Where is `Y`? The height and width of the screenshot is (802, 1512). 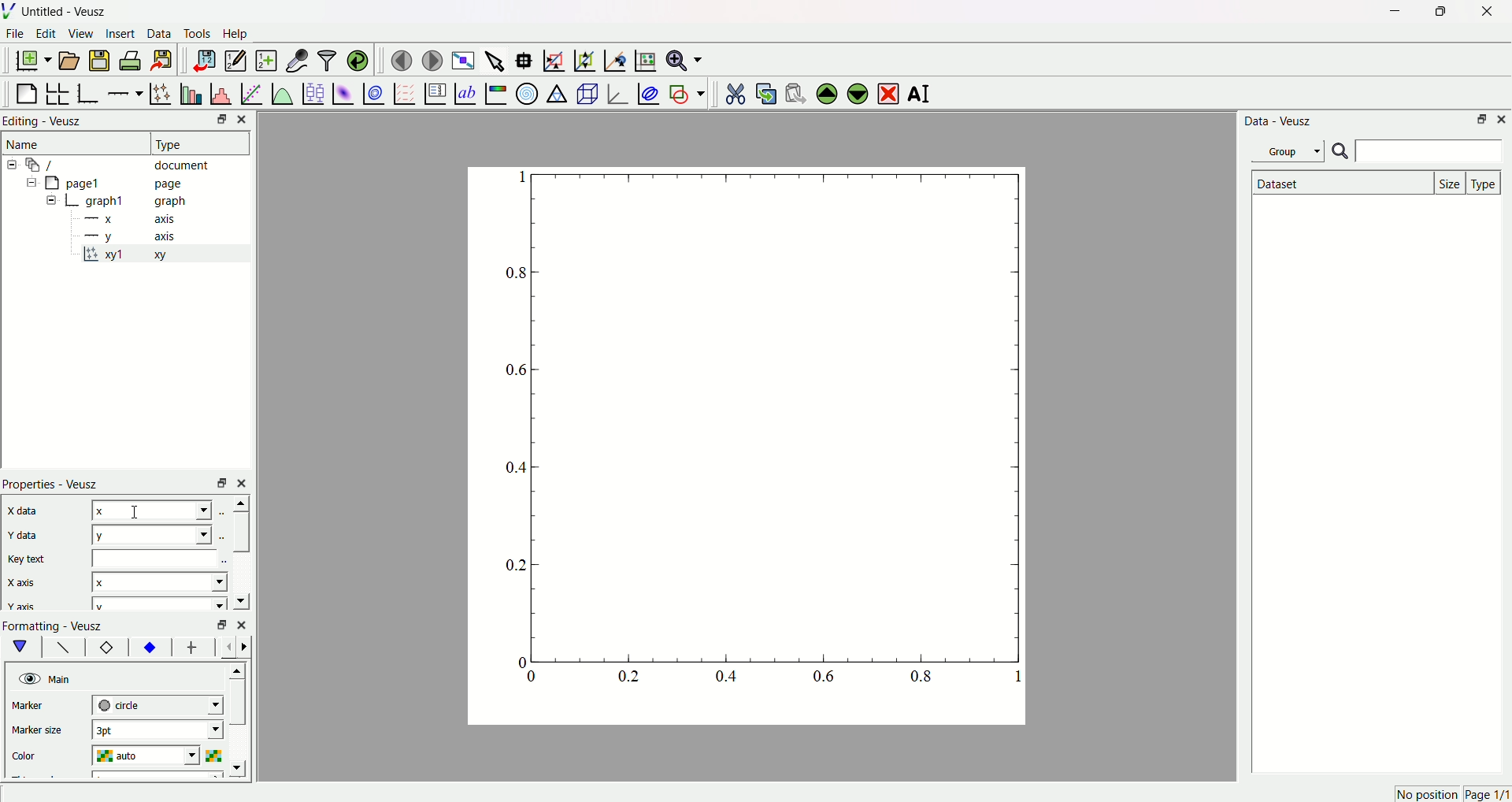 Y is located at coordinates (150, 534).